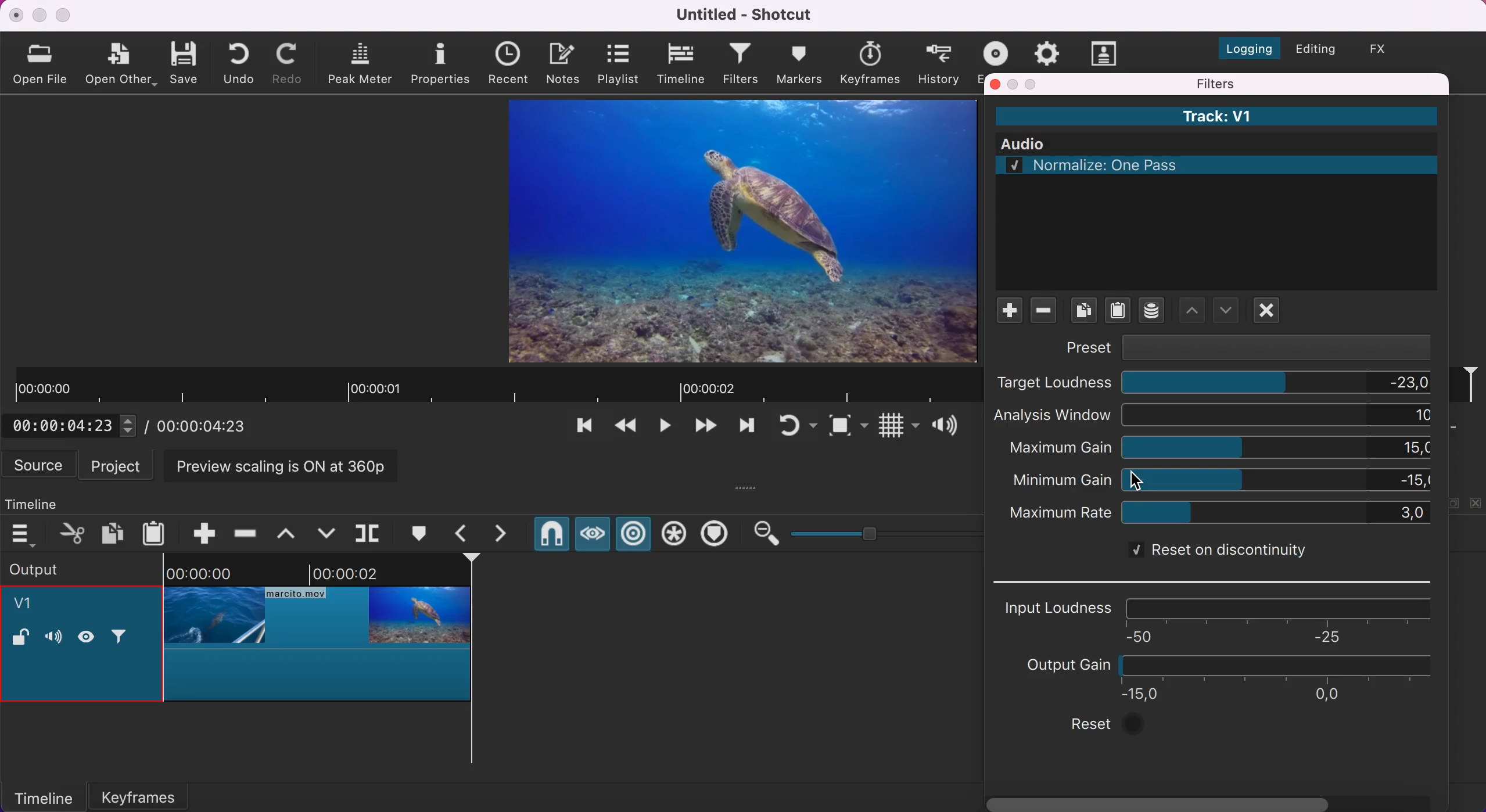  What do you see at coordinates (1215, 116) in the screenshot?
I see `Track: V1` at bounding box center [1215, 116].